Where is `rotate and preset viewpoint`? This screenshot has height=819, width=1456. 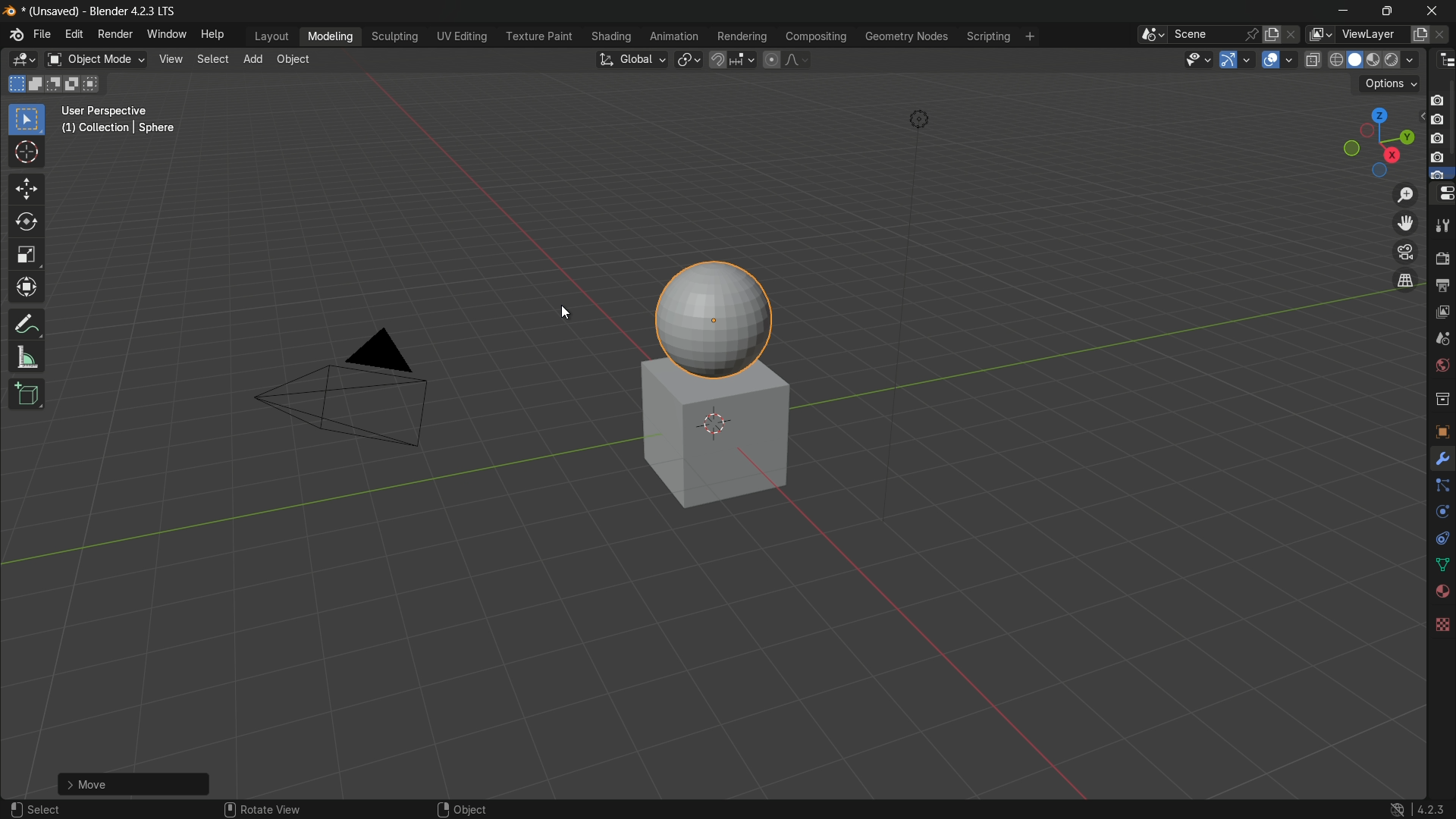 rotate and preset viewpoint is located at coordinates (1375, 140).